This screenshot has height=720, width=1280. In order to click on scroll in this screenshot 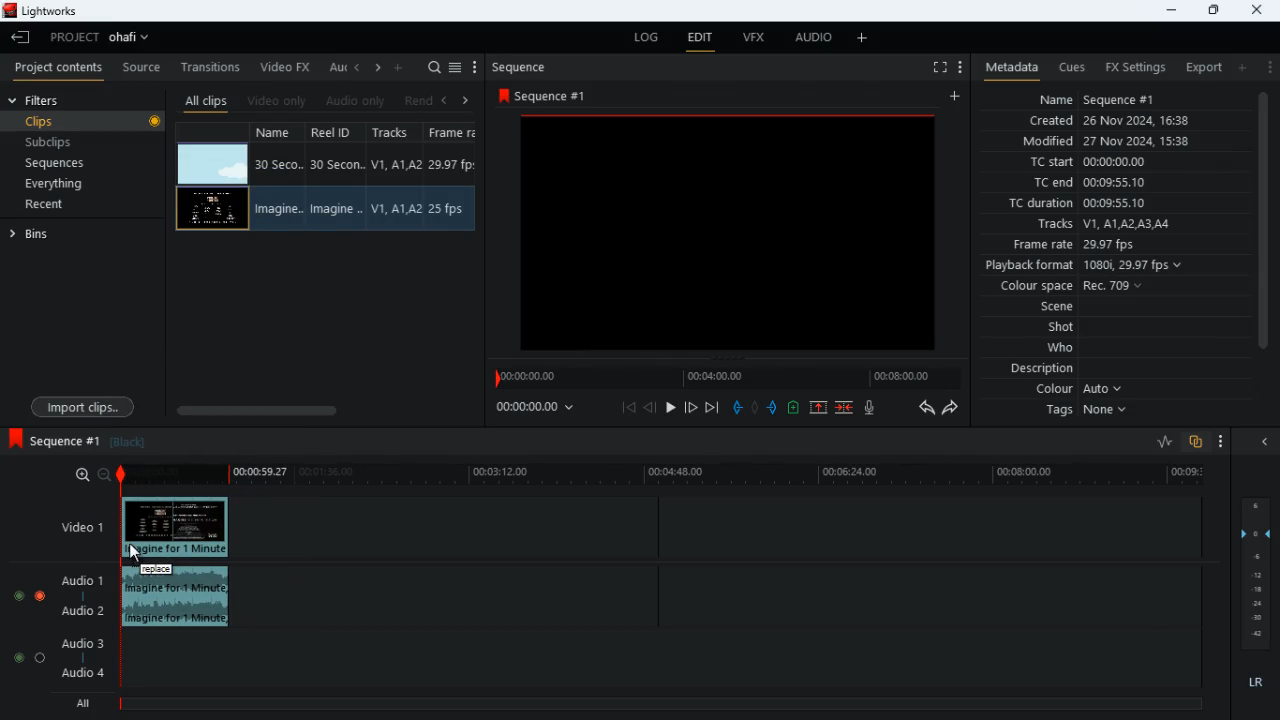, I will do `click(1265, 233)`.